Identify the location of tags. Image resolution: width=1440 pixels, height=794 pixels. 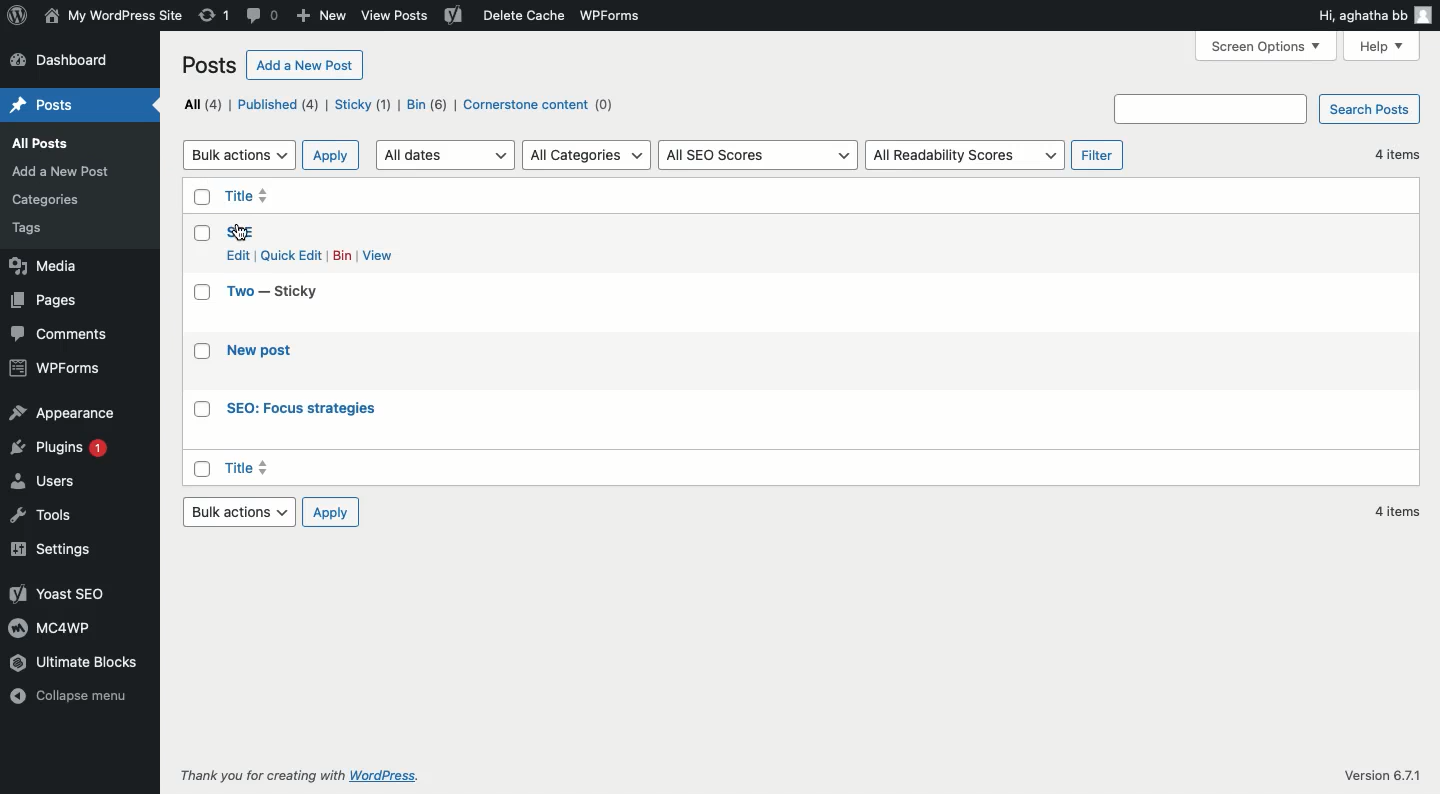
(31, 229).